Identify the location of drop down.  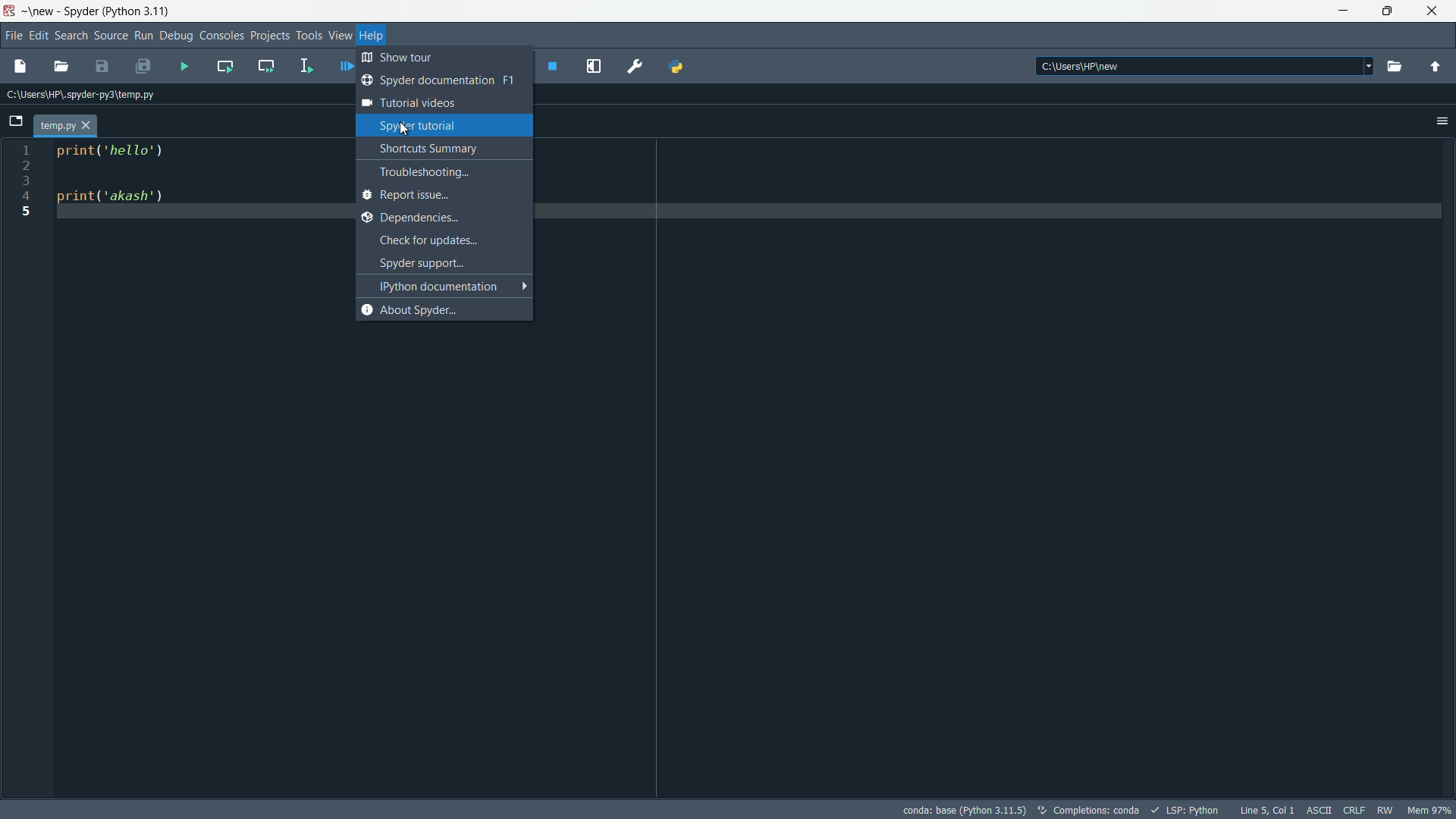
(1367, 67).